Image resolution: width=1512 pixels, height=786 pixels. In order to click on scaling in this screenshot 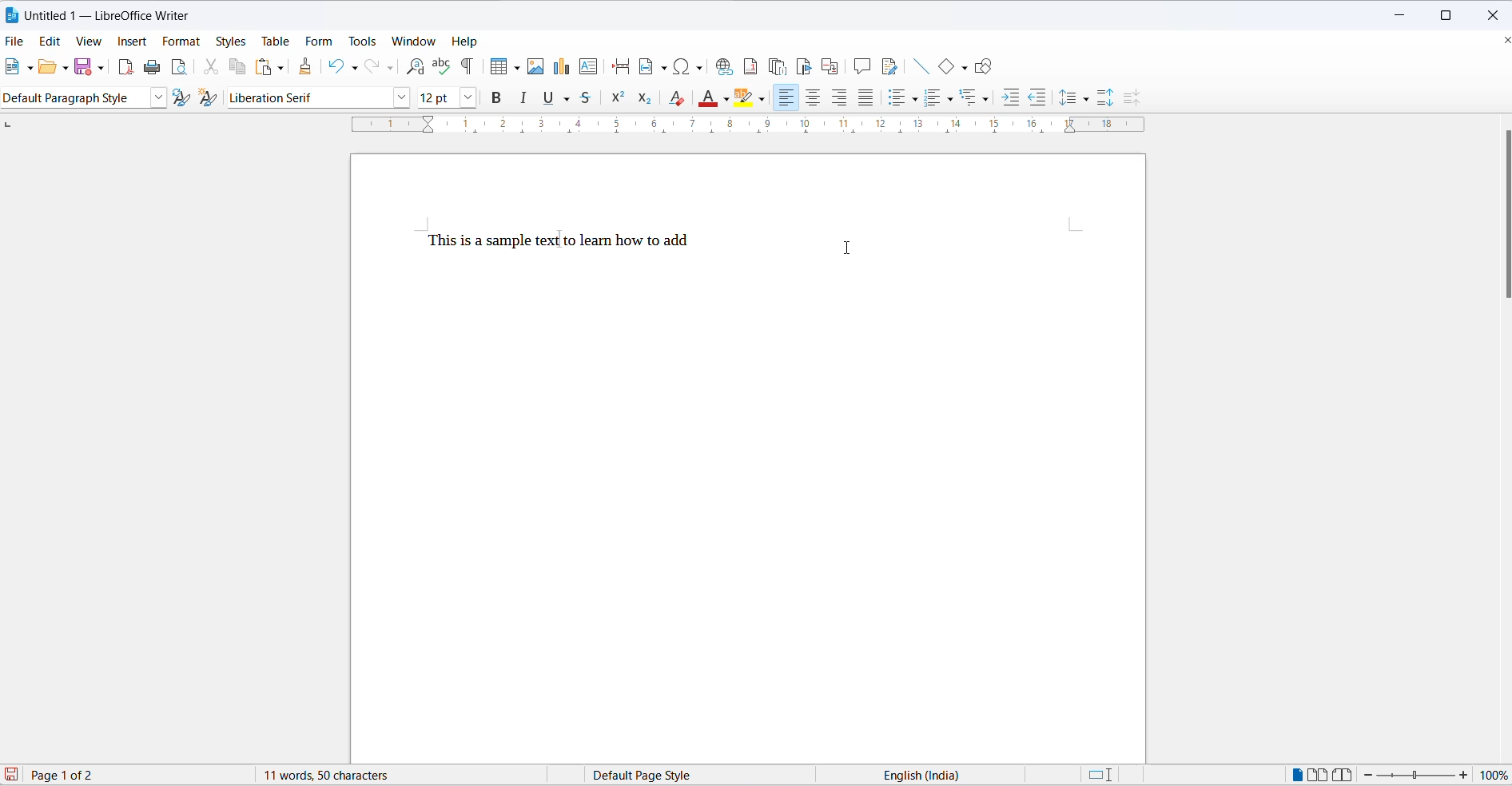, I will do `click(738, 129)`.